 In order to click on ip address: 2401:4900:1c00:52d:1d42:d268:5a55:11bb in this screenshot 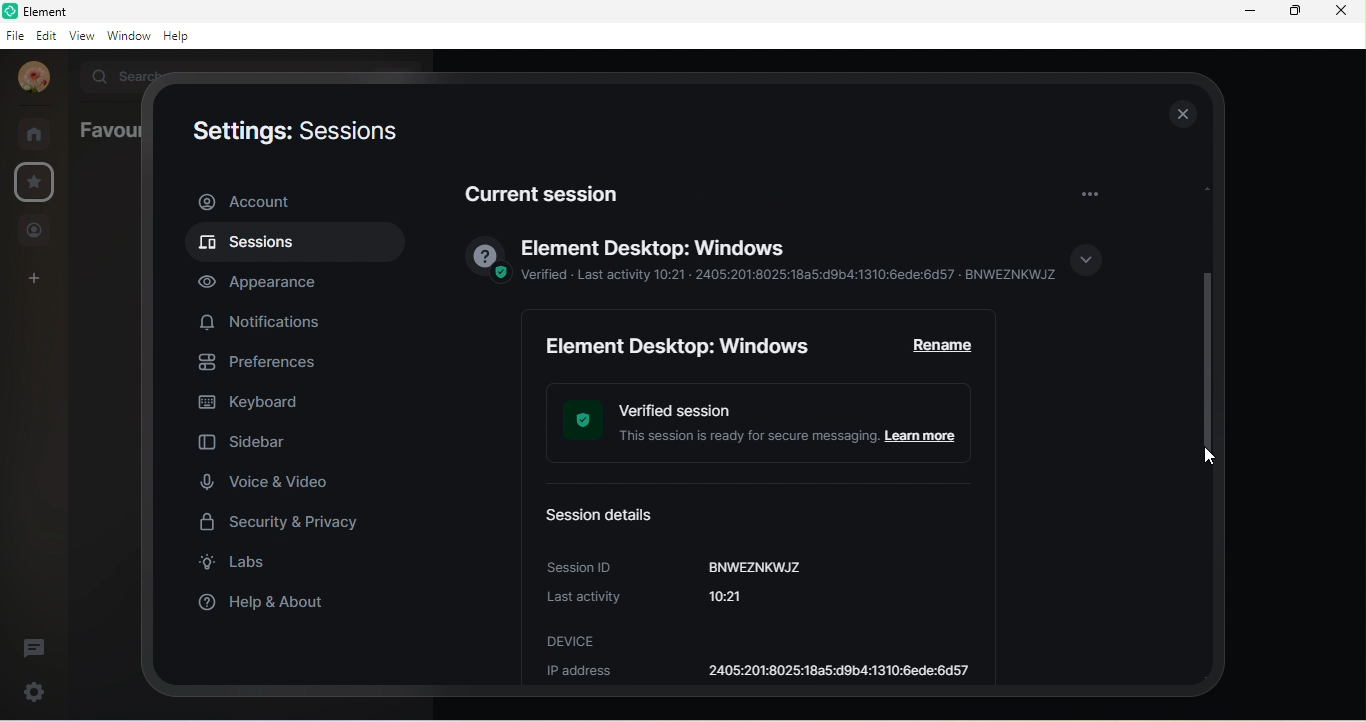, I will do `click(762, 672)`.